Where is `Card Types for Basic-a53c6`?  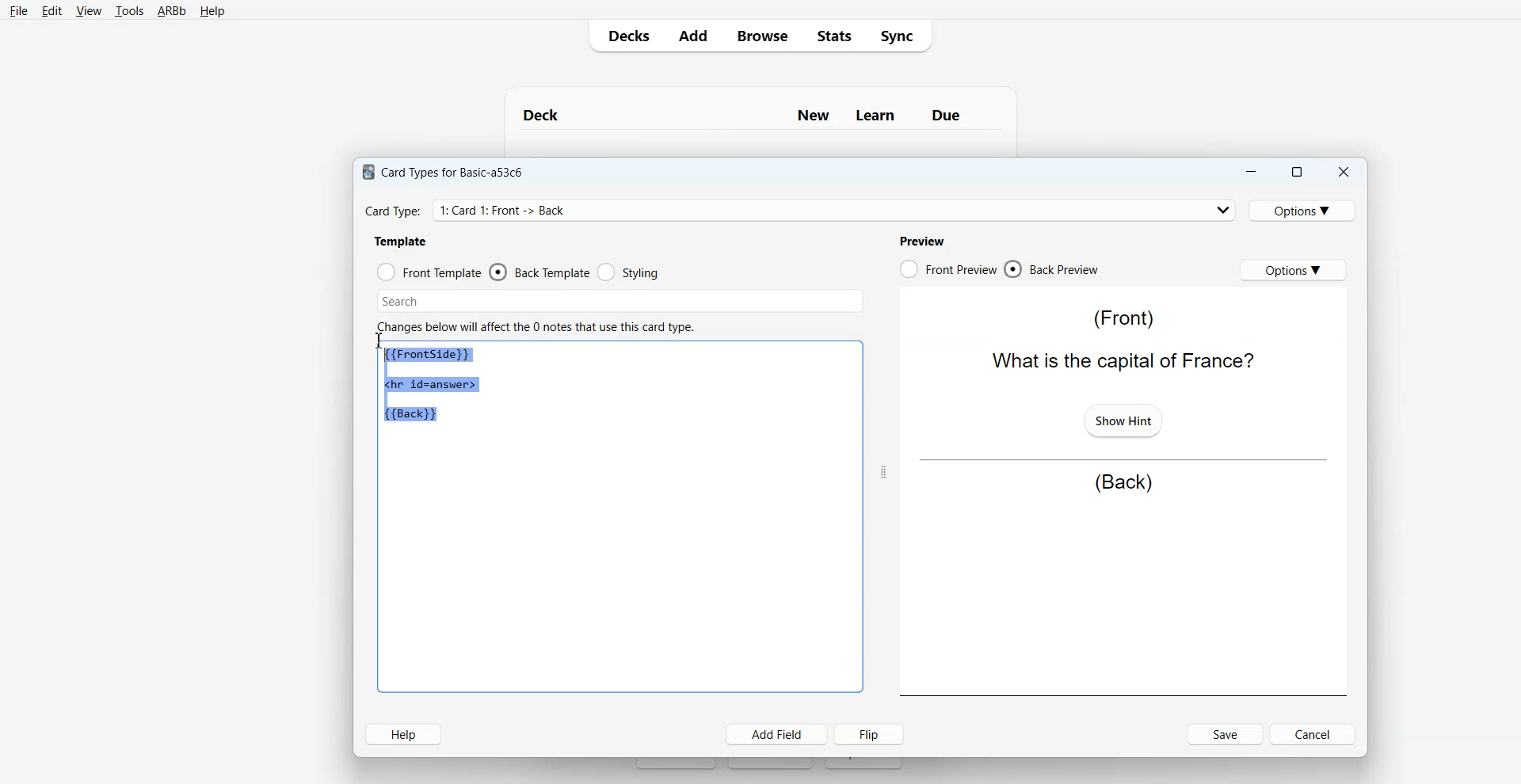
Card Types for Basic-a53c6 is located at coordinates (444, 171).